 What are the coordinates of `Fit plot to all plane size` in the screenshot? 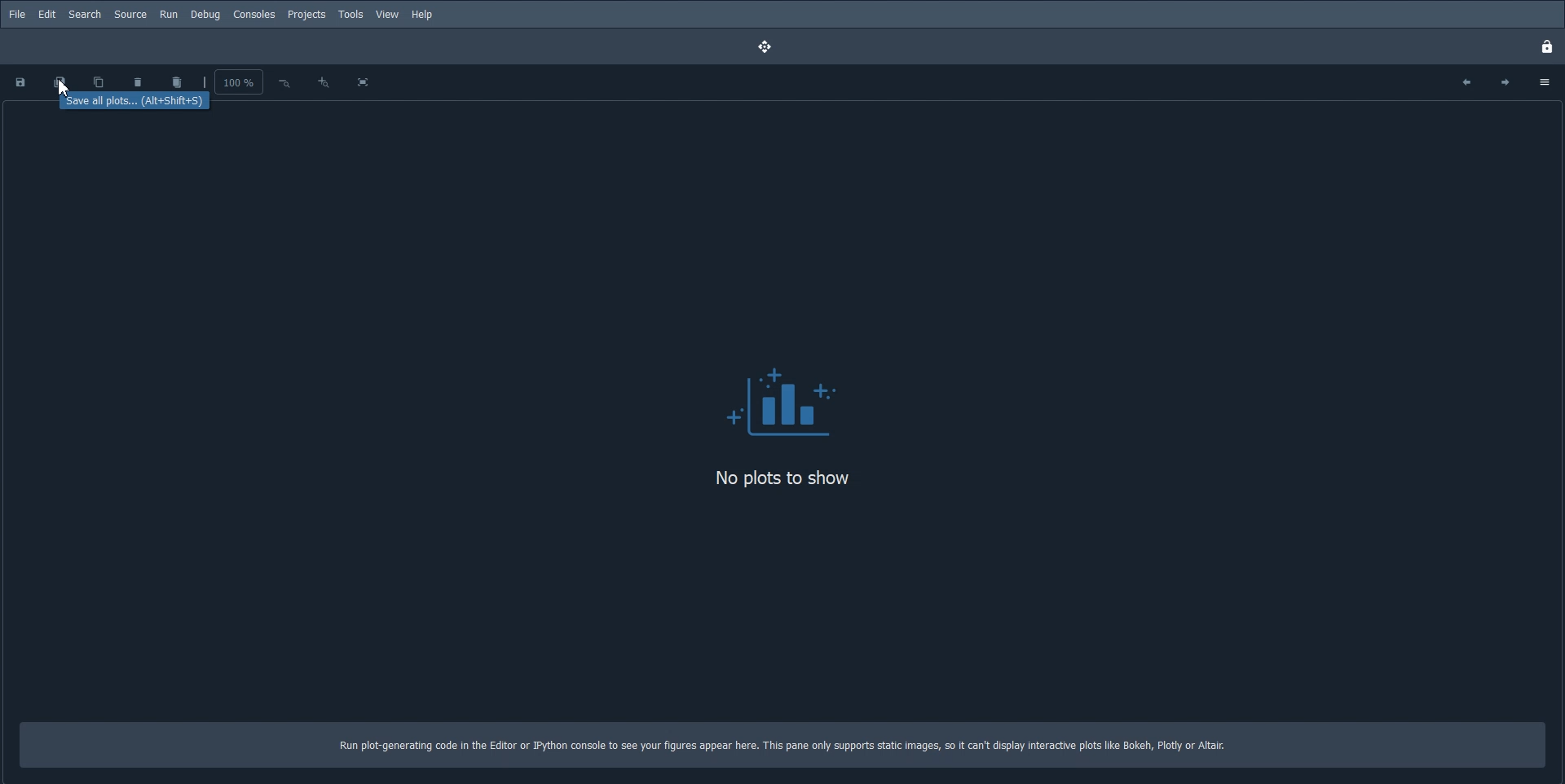 It's located at (363, 81).